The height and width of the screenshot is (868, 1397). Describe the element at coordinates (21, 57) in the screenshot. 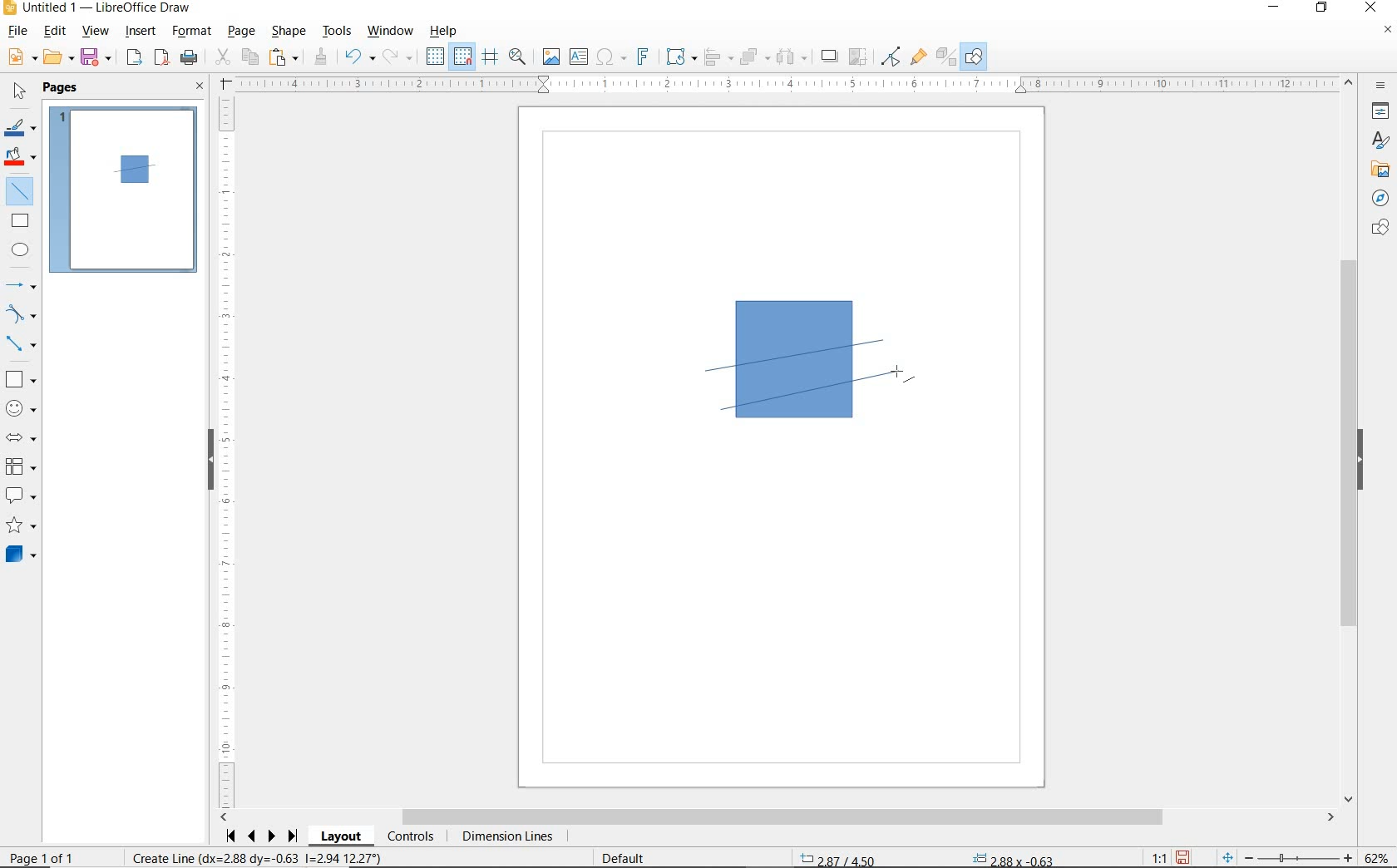

I see `NEW` at that location.